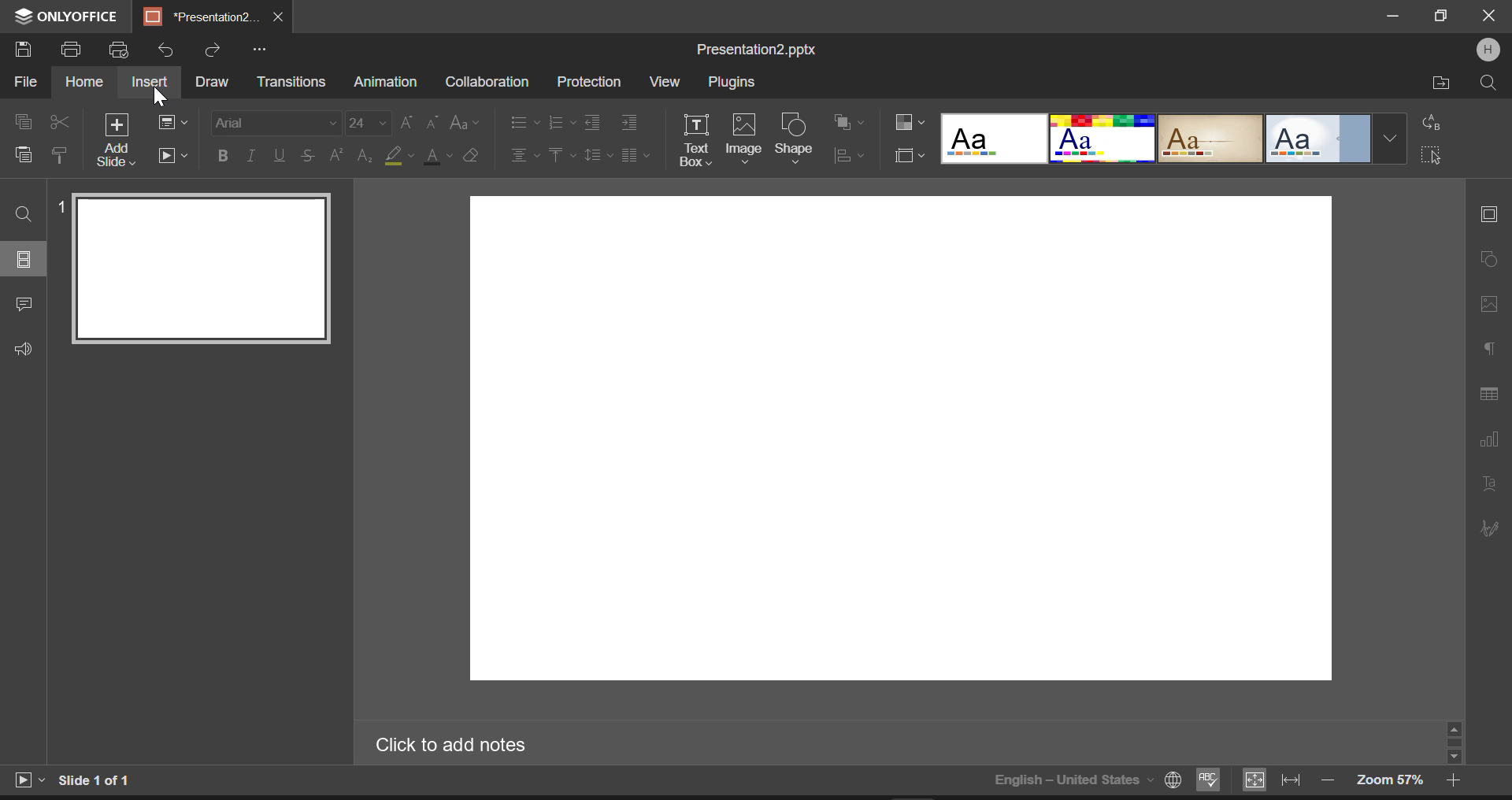 The width and height of the screenshot is (1512, 800). Describe the element at coordinates (251, 157) in the screenshot. I see `Italic` at that location.